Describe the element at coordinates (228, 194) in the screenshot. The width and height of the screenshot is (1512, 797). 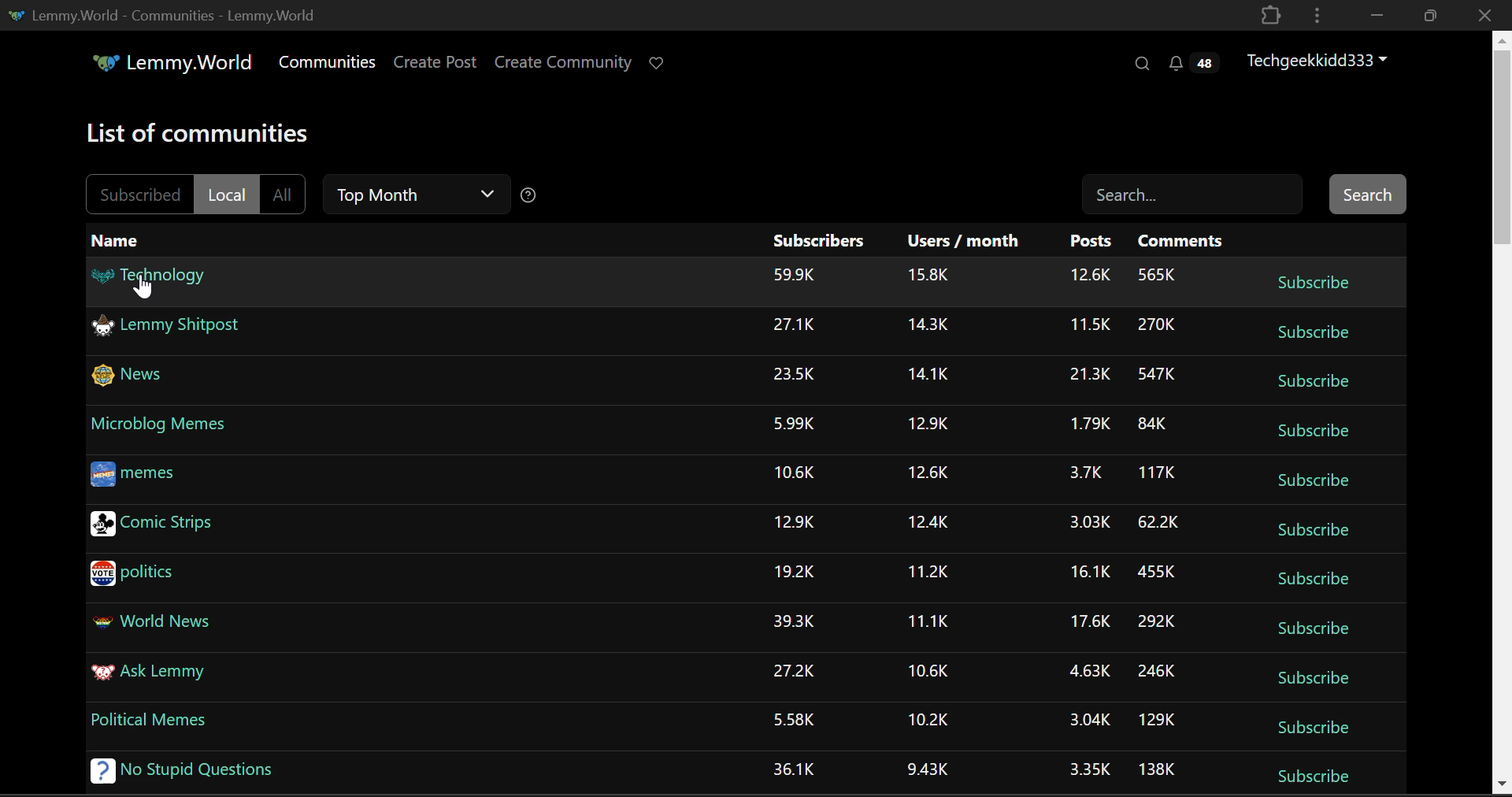
I see `Local Filter Selected` at that location.